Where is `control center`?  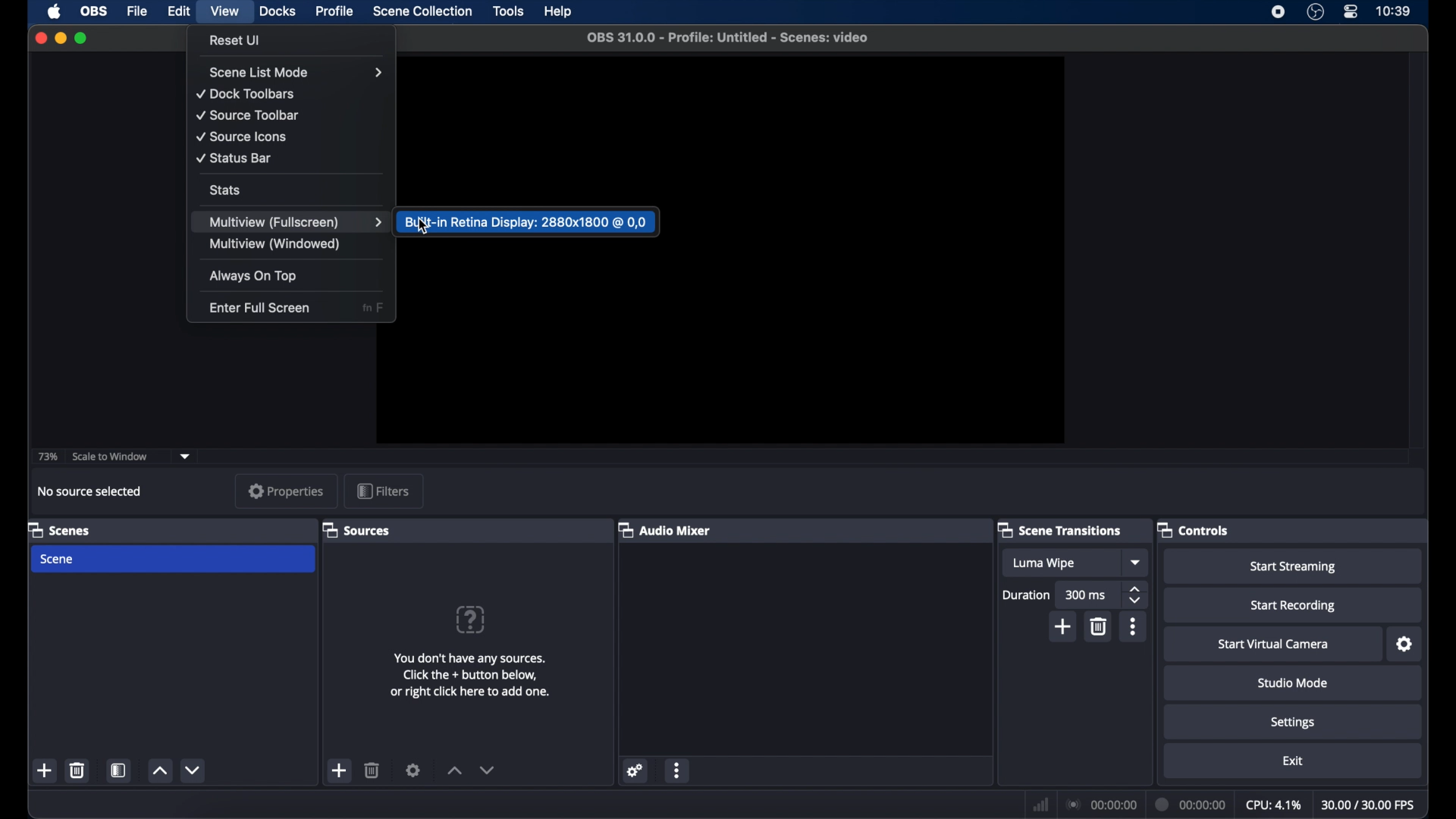 control center is located at coordinates (1351, 12).